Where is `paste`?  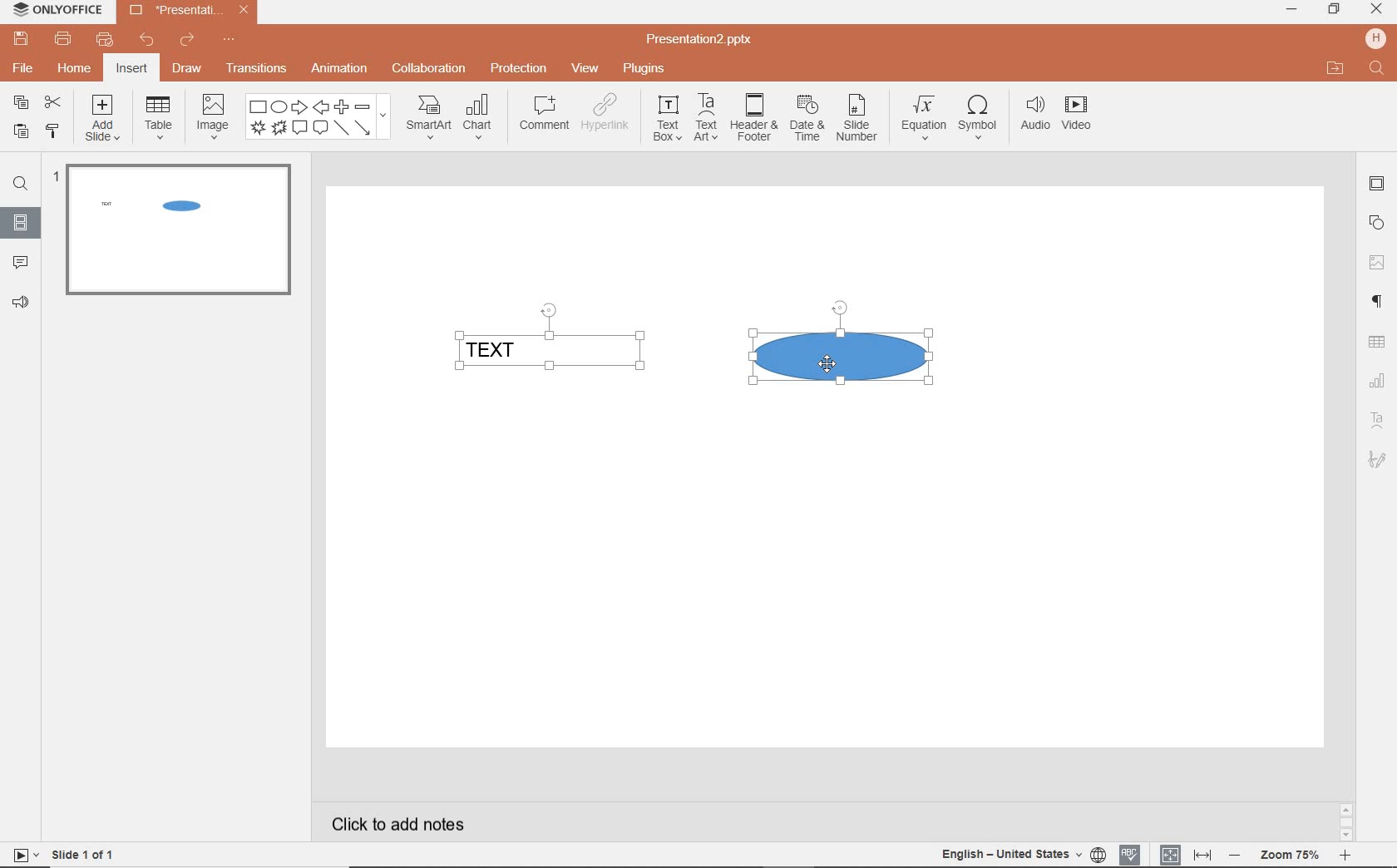 paste is located at coordinates (21, 133).